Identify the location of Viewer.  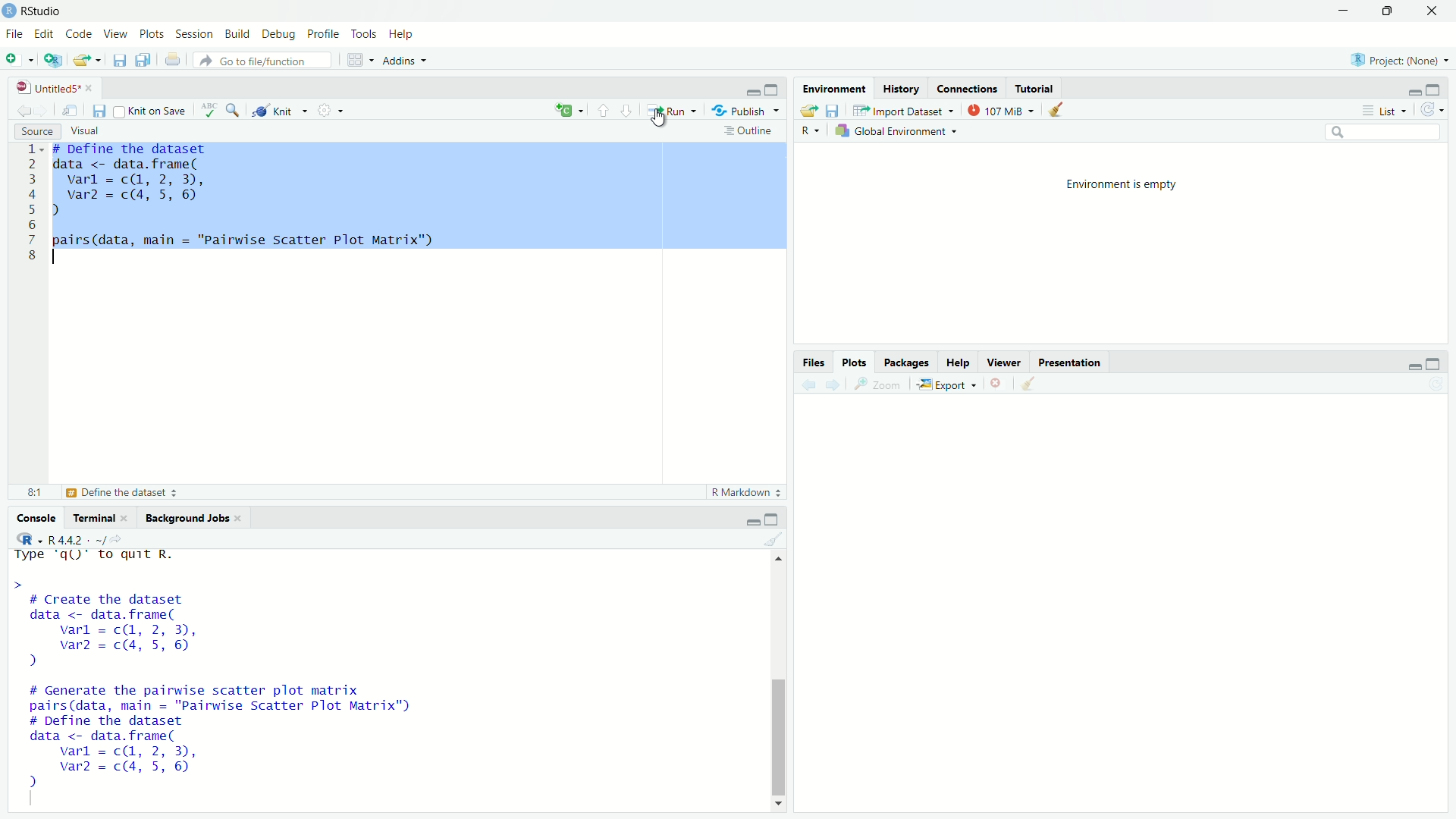
(1003, 362).